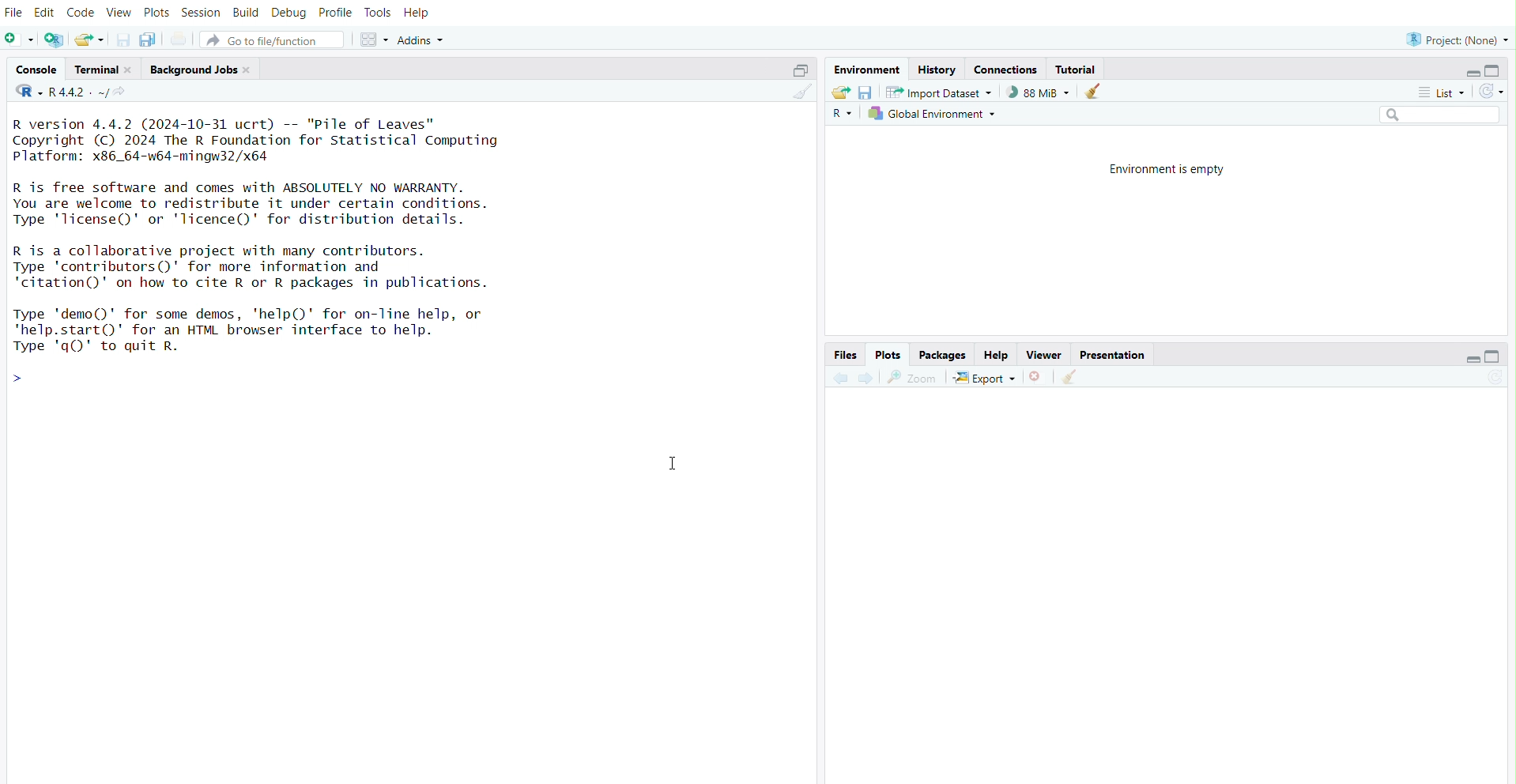 This screenshot has height=784, width=1516. What do you see at coordinates (799, 67) in the screenshot?
I see `maximize` at bounding box center [799, 67].